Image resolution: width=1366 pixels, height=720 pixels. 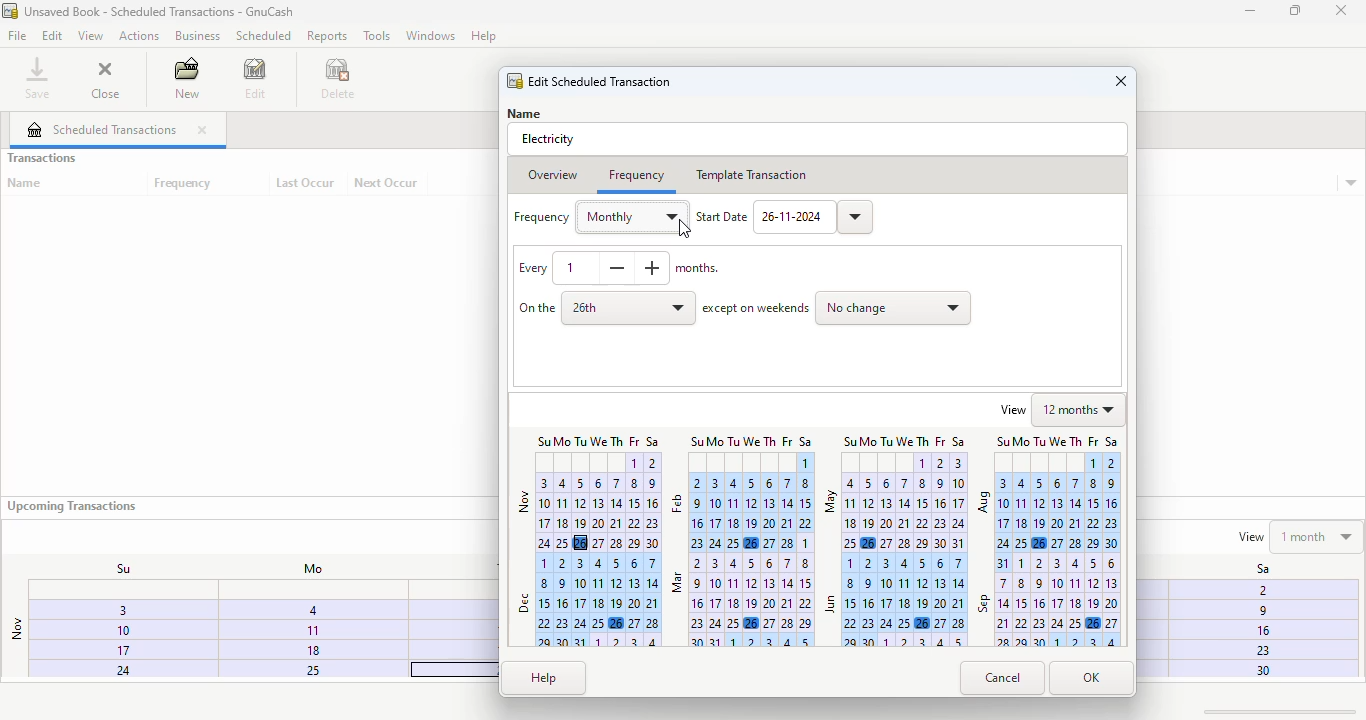 I want to click on scroll, so click(x=1281, y=711).